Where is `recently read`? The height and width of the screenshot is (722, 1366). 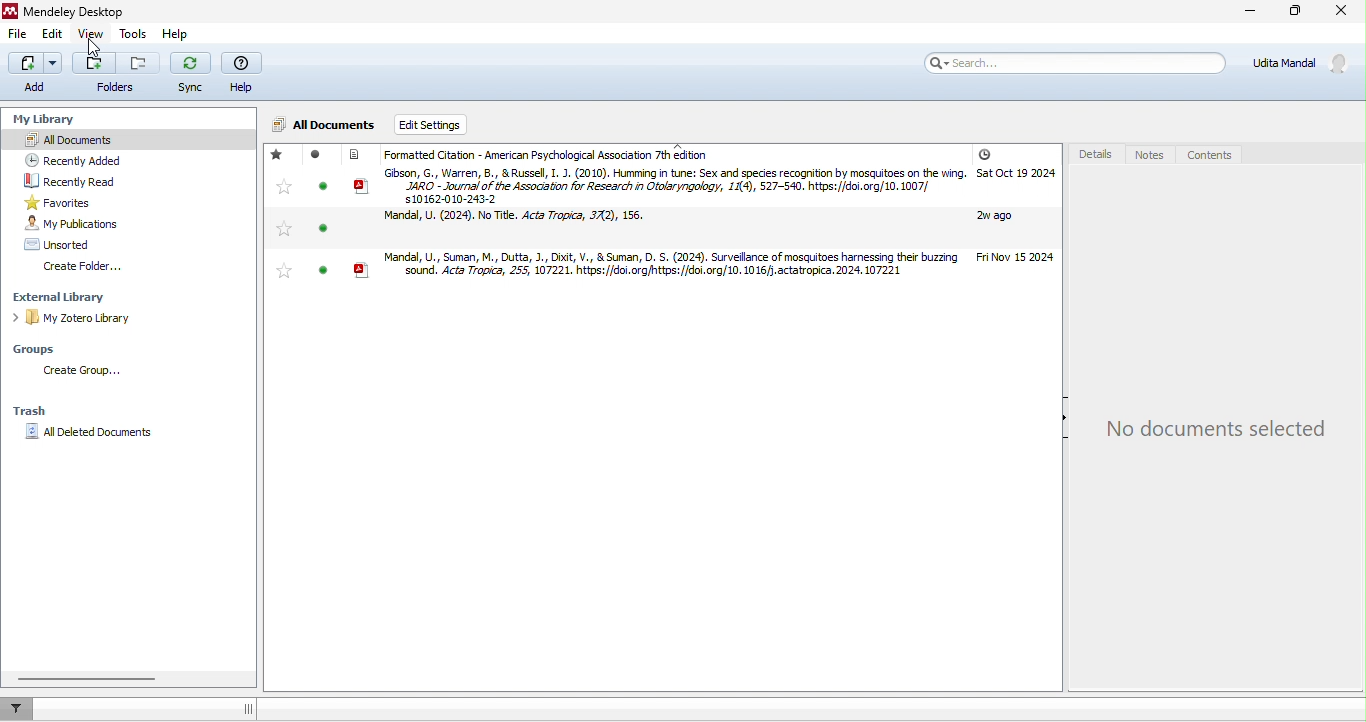
recently read is located at coordinates (80, 180).